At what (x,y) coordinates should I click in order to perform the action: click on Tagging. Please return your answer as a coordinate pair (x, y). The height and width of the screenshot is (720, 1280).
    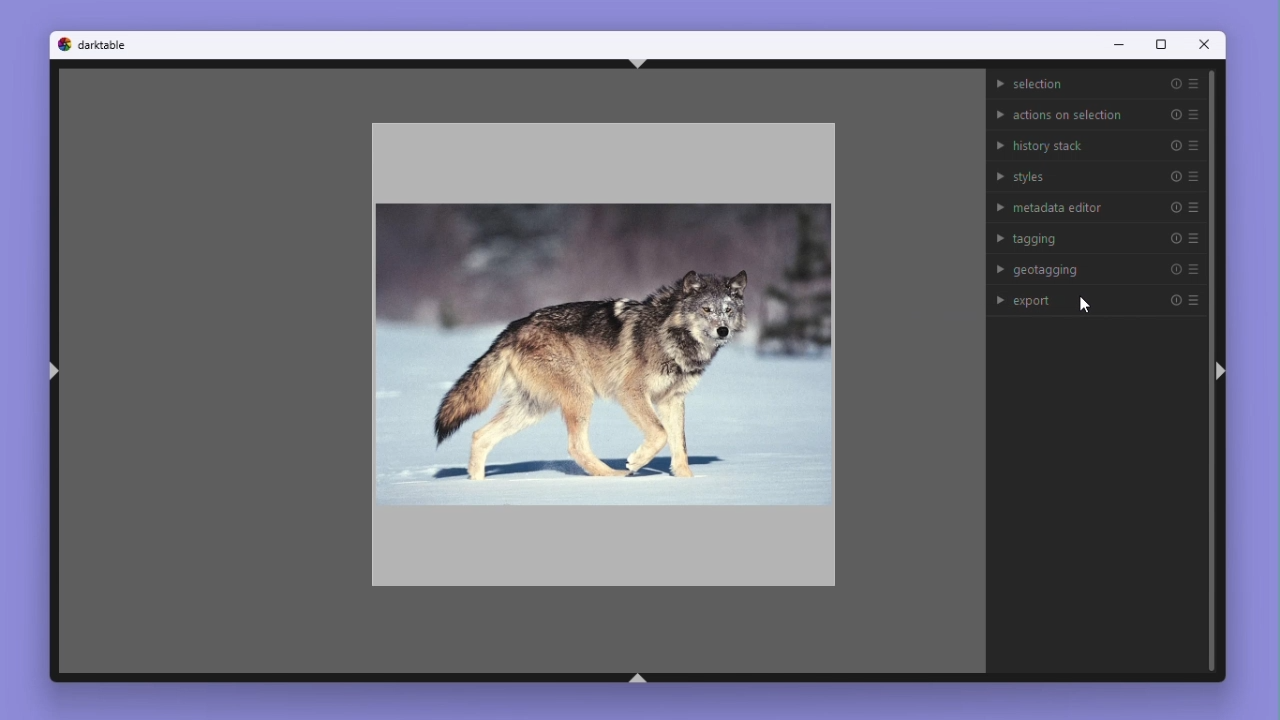
    Looking at the image, I should click on (1096, 237).